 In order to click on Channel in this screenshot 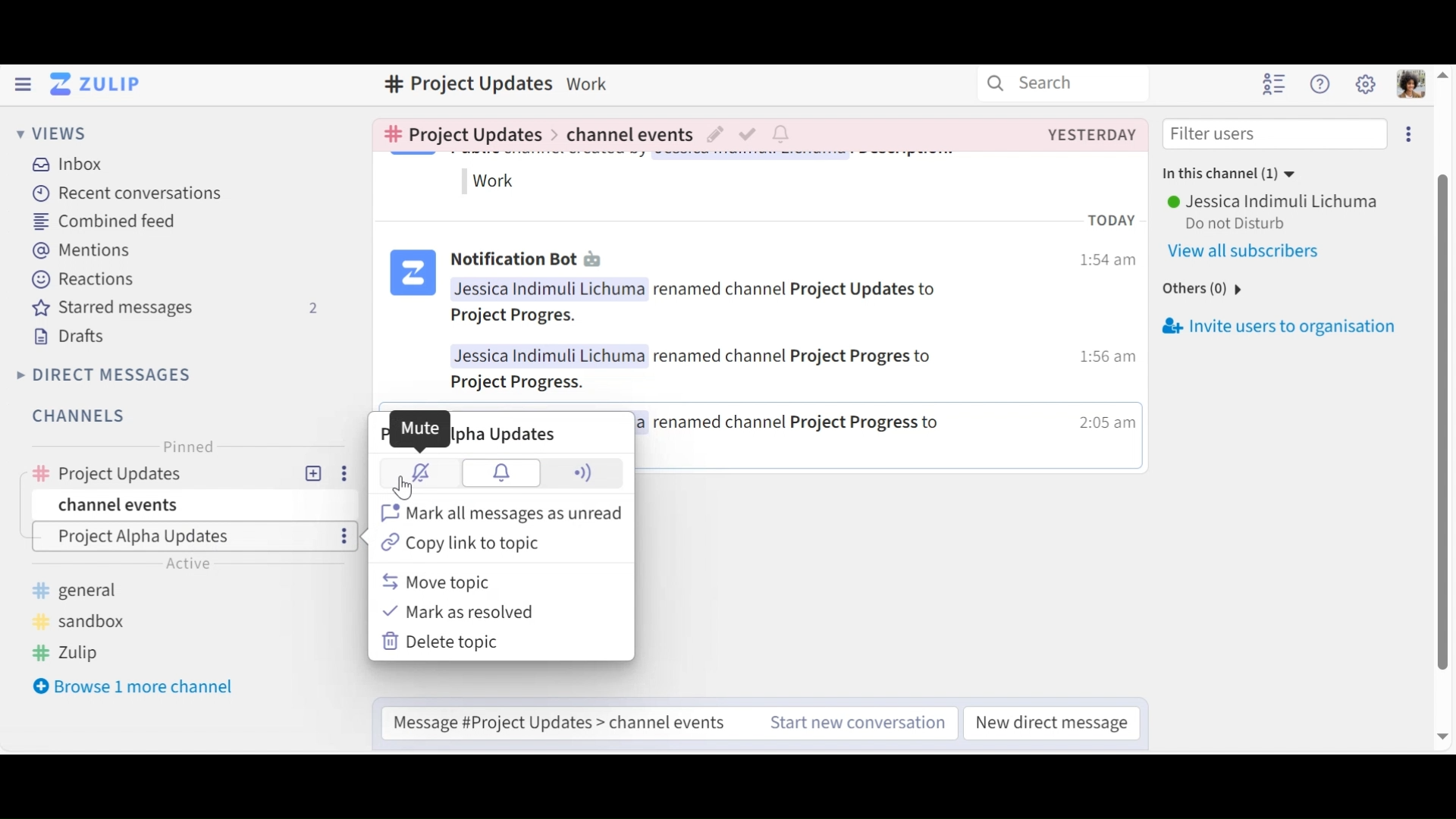, I will do `click(181, 474)`.